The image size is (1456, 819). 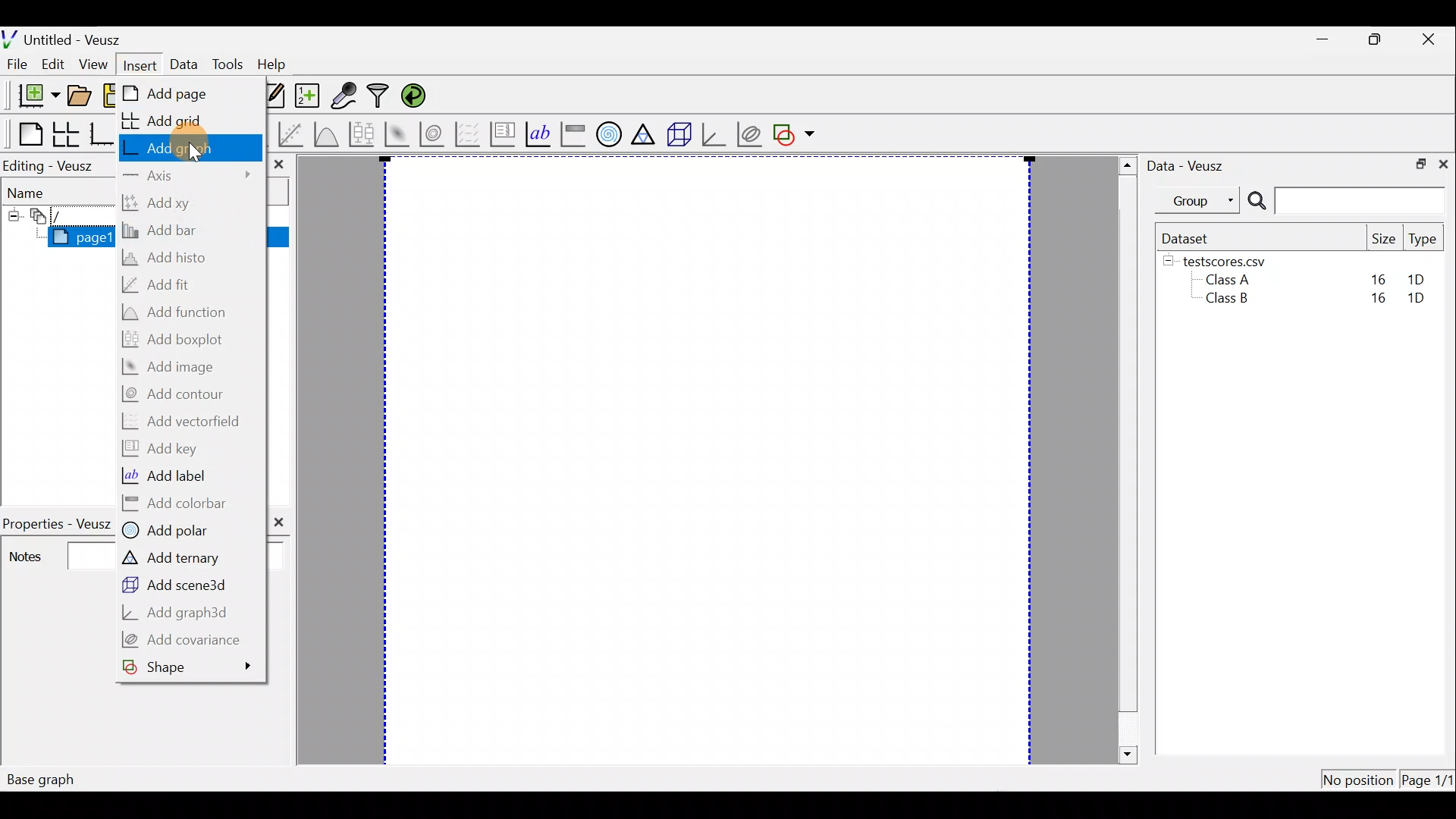 I want to click on Add vectorfield, so click(x=186, y=421).